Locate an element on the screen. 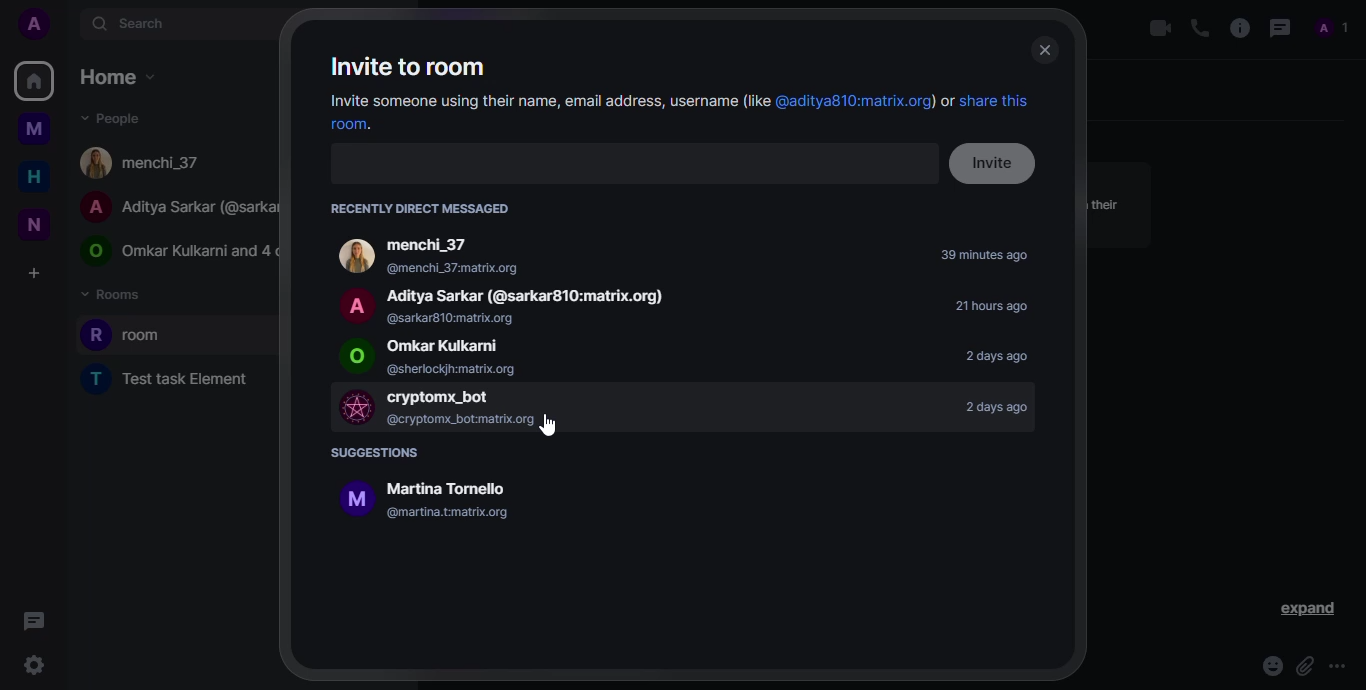 The image size is (1366, 690). more is located at coordinates (1342, 660).